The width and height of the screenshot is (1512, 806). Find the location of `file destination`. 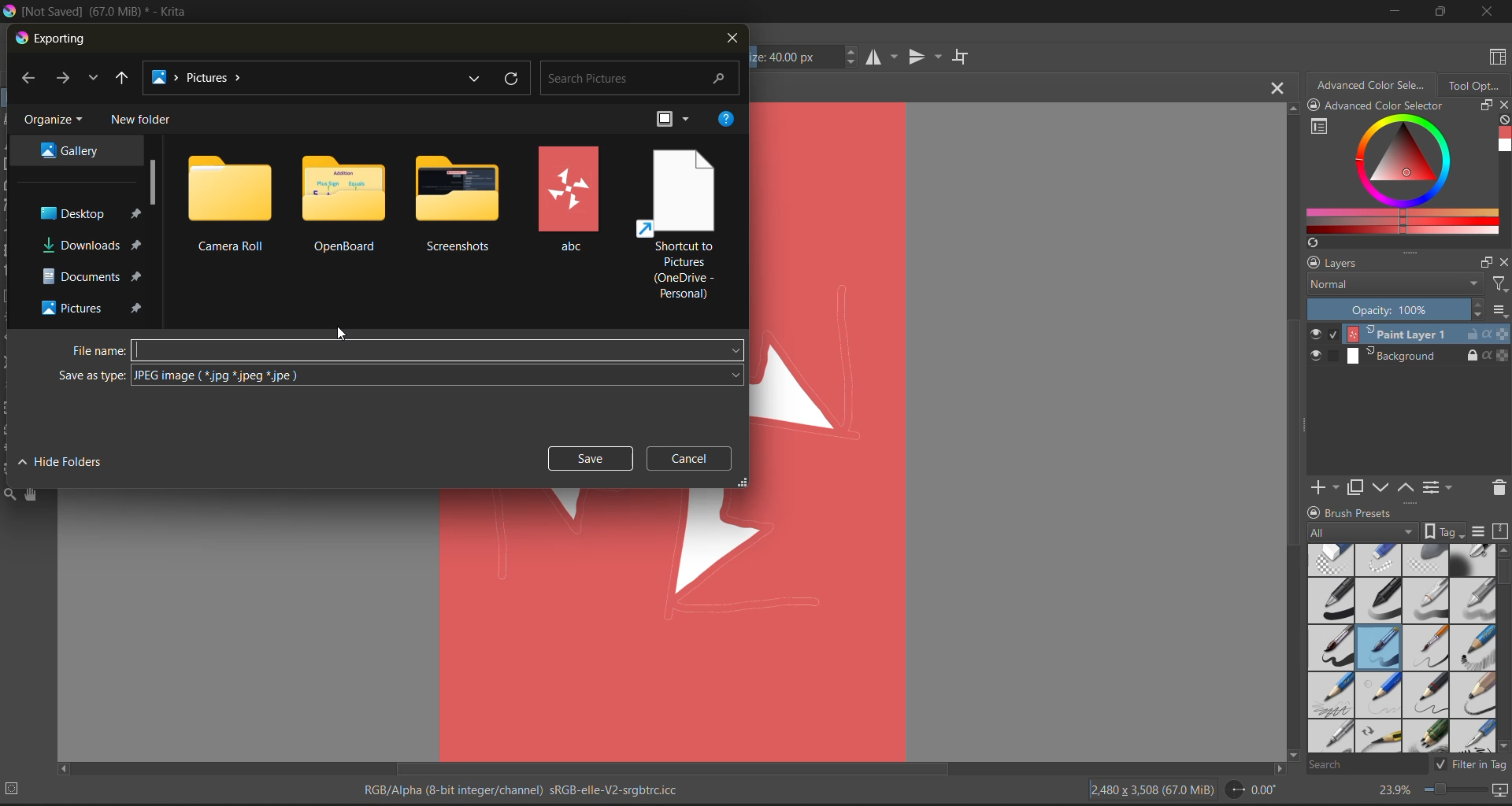

file destination is located at coordinates (70, 151).